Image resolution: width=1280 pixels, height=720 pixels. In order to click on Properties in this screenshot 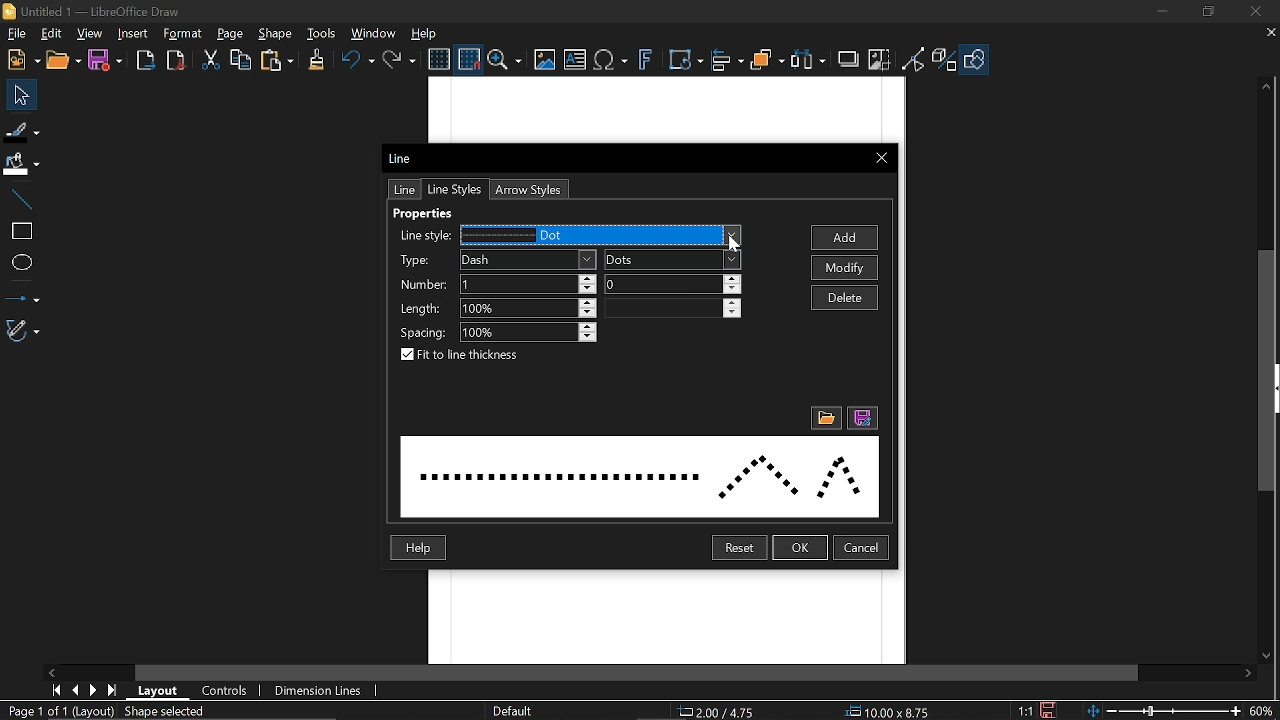, I will do `click(436, 214)`.